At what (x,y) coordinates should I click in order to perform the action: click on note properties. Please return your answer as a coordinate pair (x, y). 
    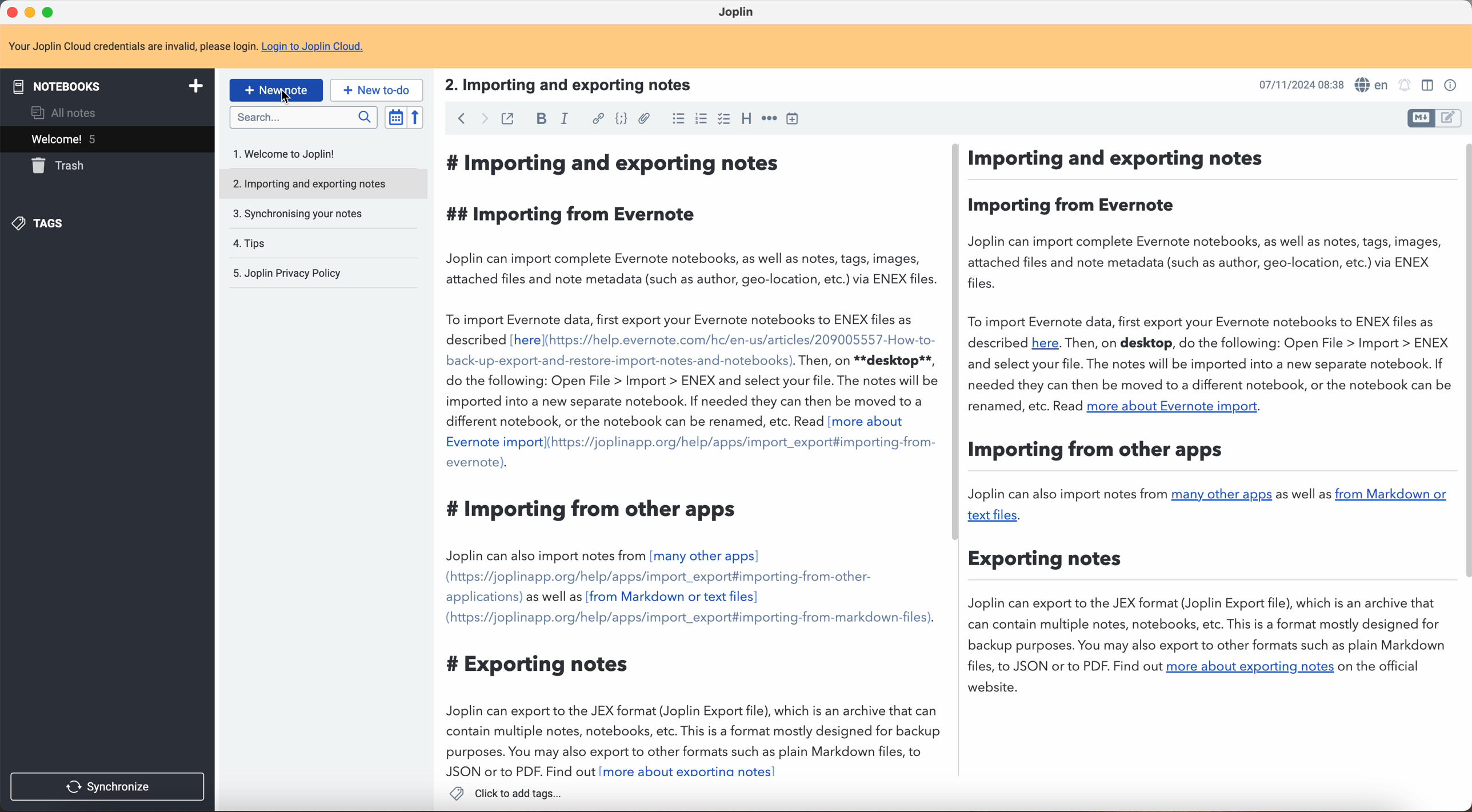
    Looking at the image, I should click on (1451, 86).